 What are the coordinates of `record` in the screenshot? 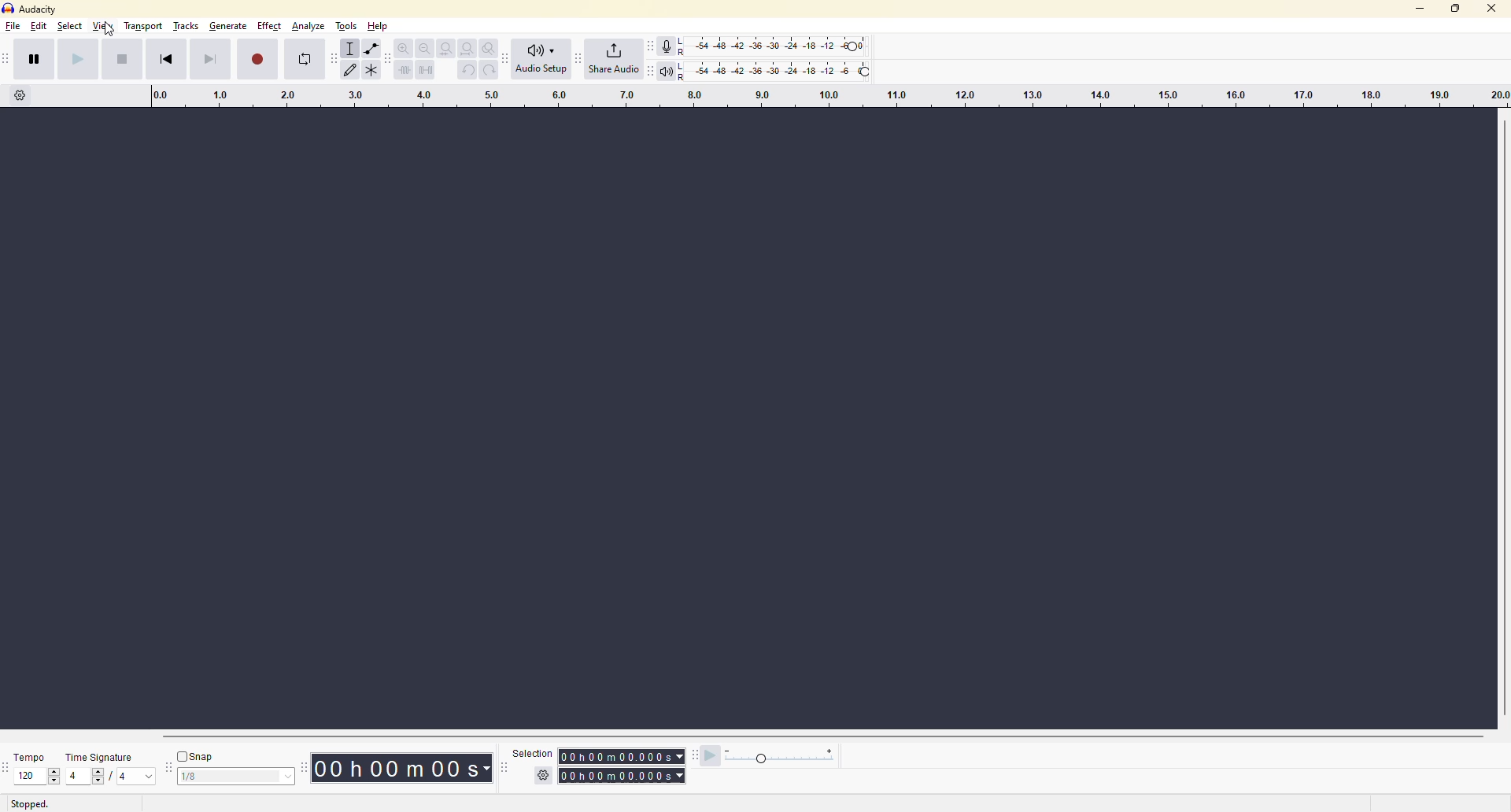 It's located at (253, 57).